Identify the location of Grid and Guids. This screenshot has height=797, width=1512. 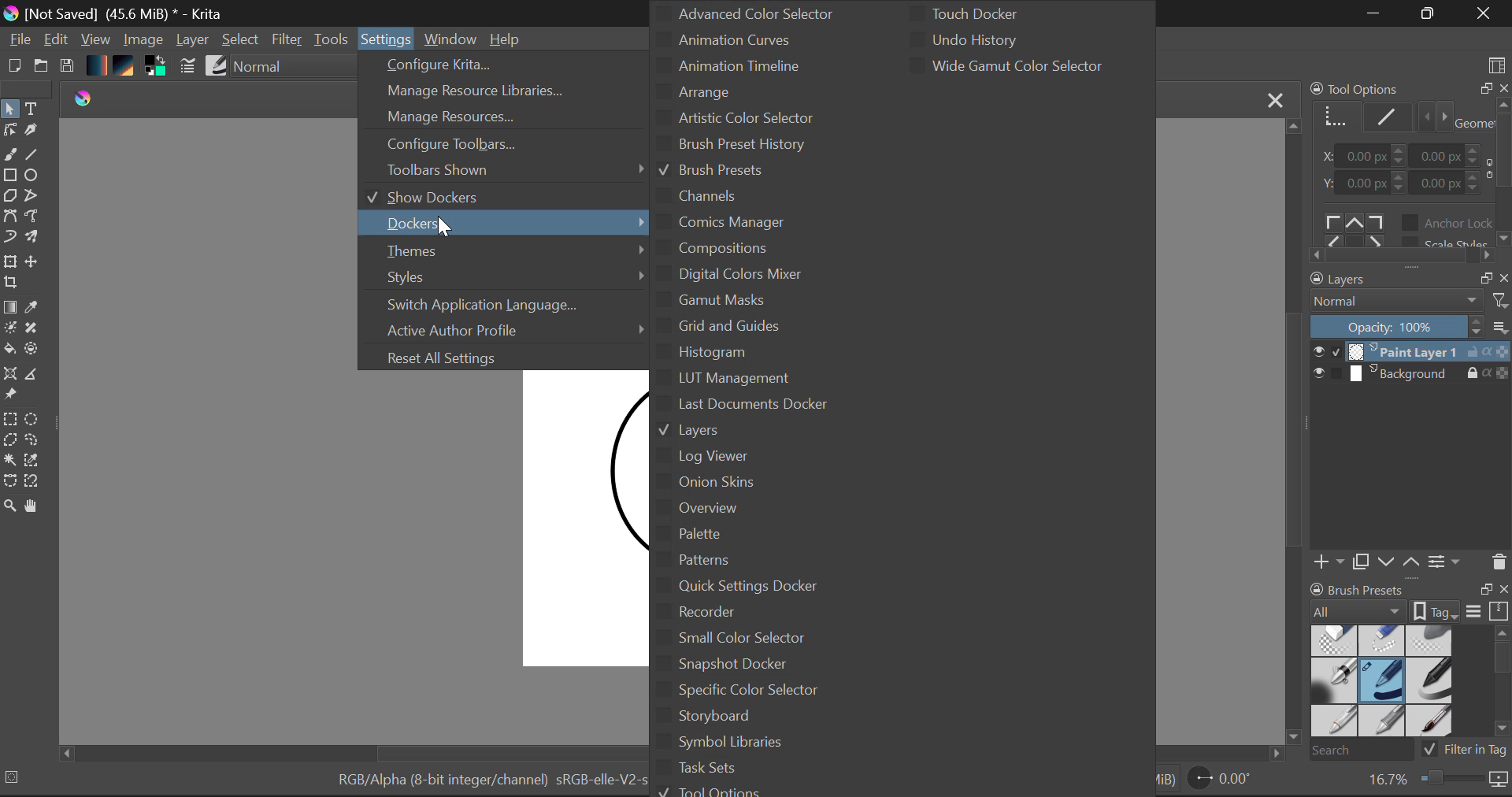
(741, 325).